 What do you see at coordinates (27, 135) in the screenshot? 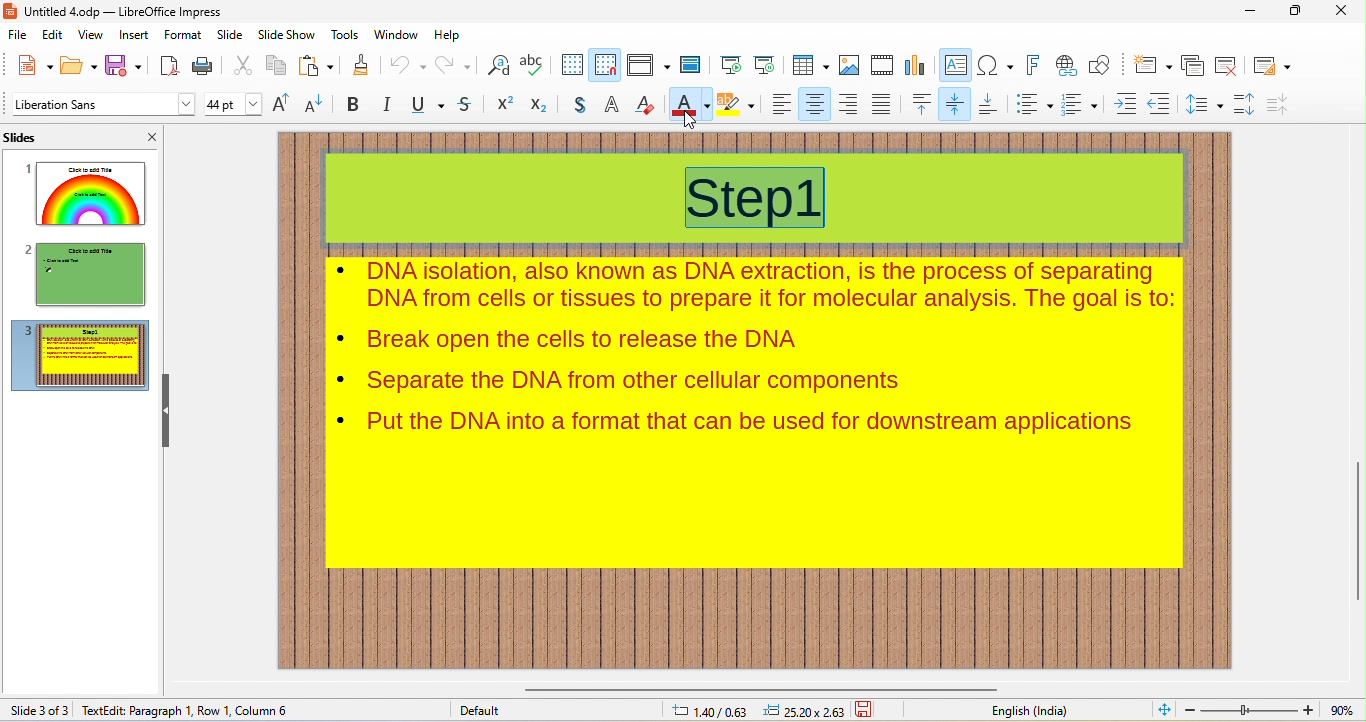
I see `slides` at bounding box center [27, 135].